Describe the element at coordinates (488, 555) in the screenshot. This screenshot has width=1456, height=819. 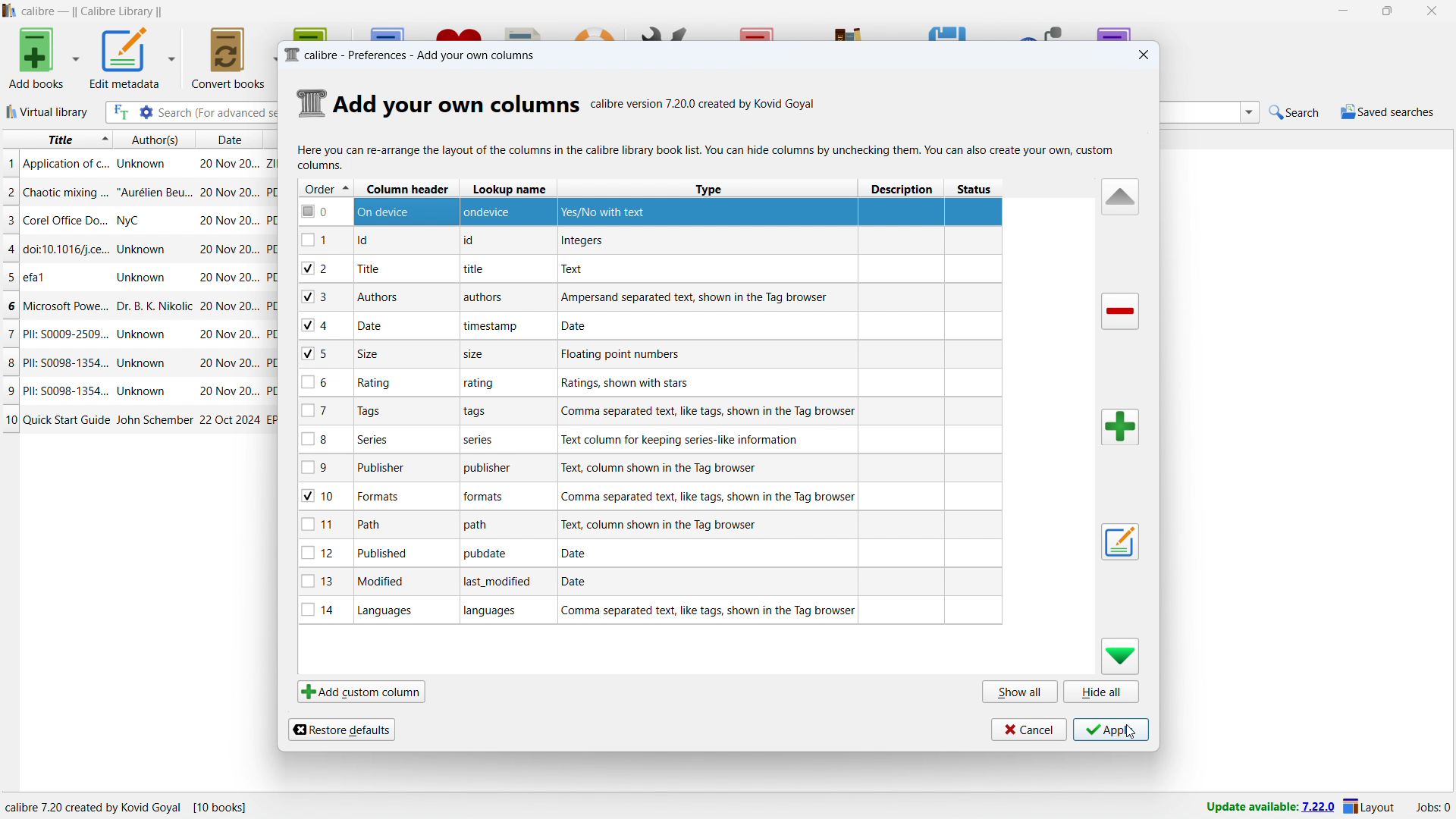
I see `pubdate` at that location.